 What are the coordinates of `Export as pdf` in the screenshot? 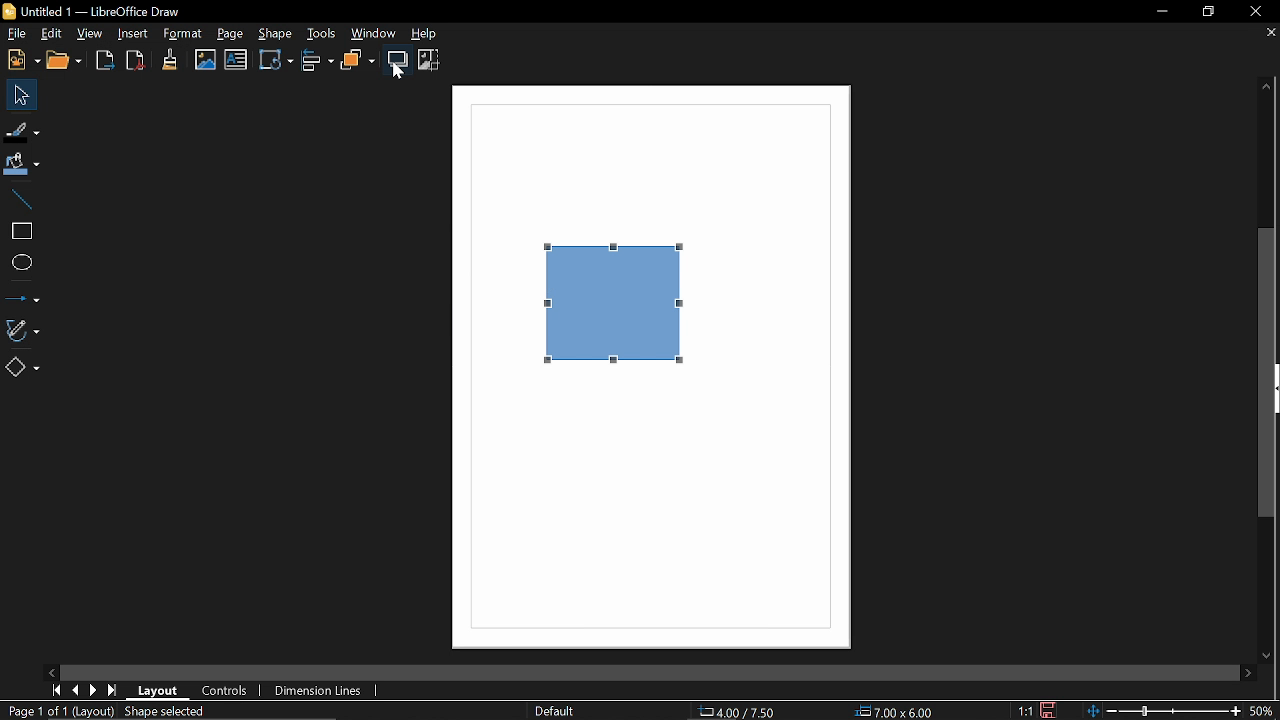 It's located at (136, 61).